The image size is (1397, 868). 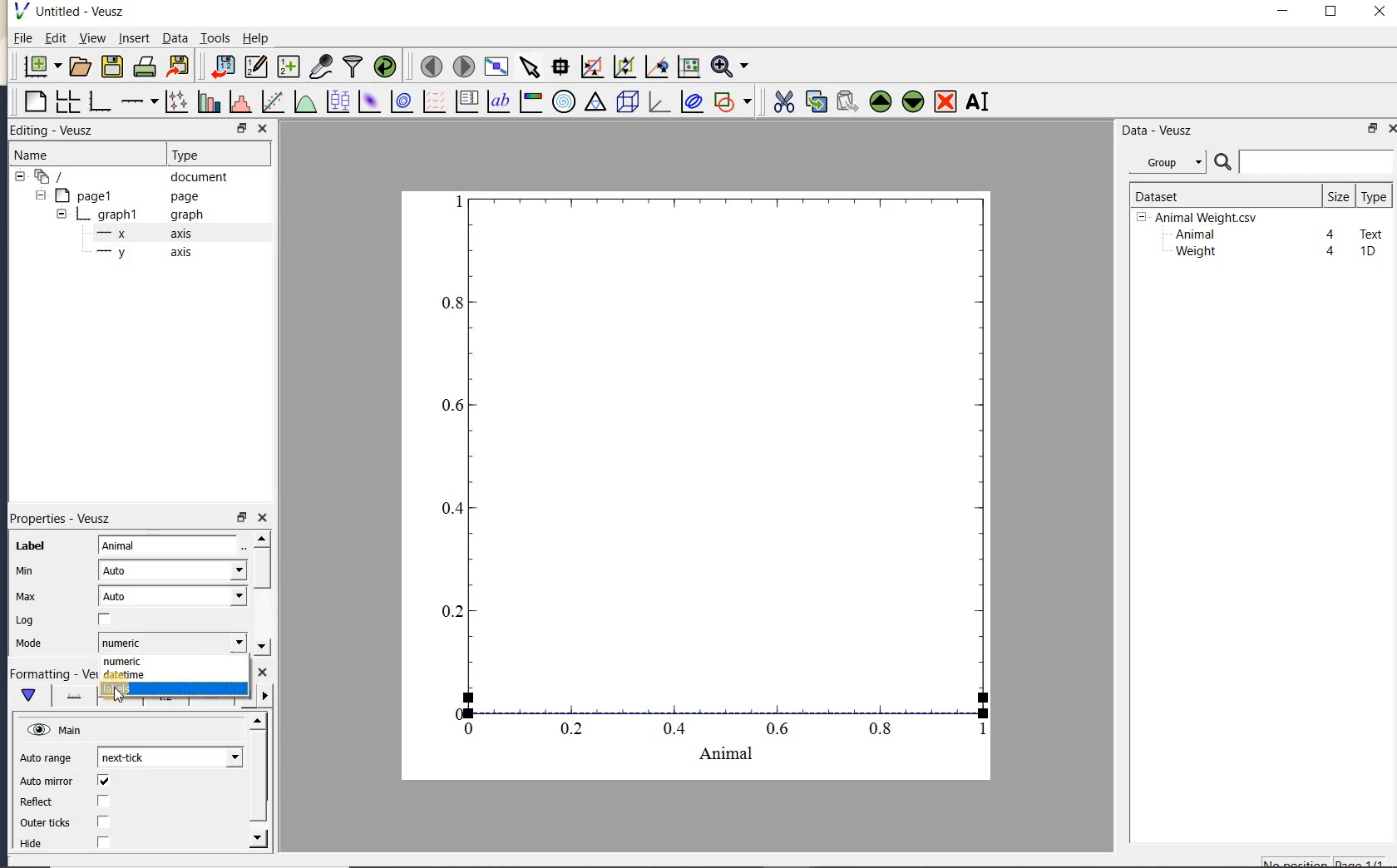 What do you see at coordinates (335, 102) in the screenshot?
I see `plot box plots` at bounding box center [335, 102].